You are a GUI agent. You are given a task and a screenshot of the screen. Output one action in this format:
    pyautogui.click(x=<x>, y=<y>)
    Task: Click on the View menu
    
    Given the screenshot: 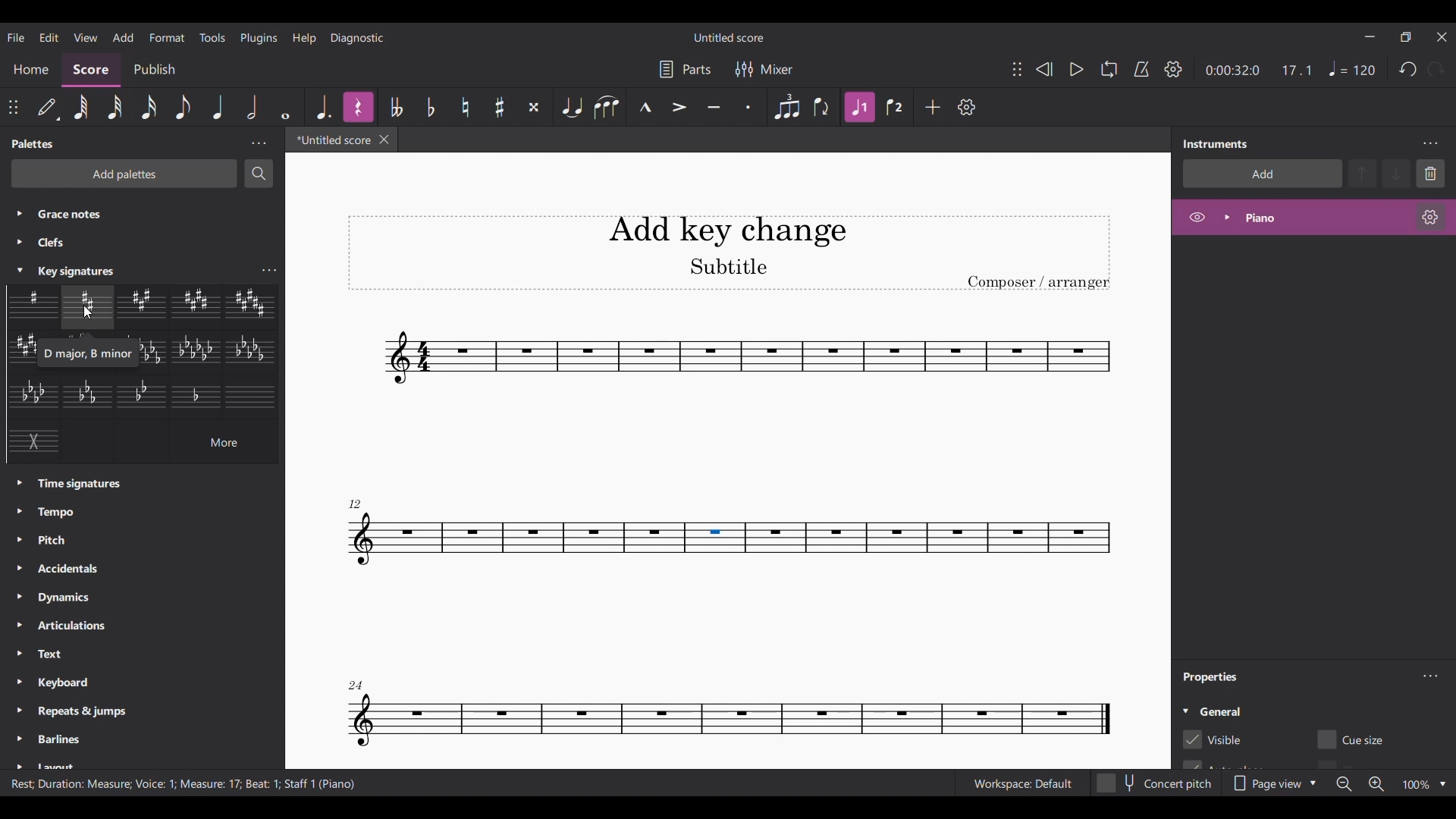 What is the action you would take?
    pyautogui.click(x=85, y=36)
    